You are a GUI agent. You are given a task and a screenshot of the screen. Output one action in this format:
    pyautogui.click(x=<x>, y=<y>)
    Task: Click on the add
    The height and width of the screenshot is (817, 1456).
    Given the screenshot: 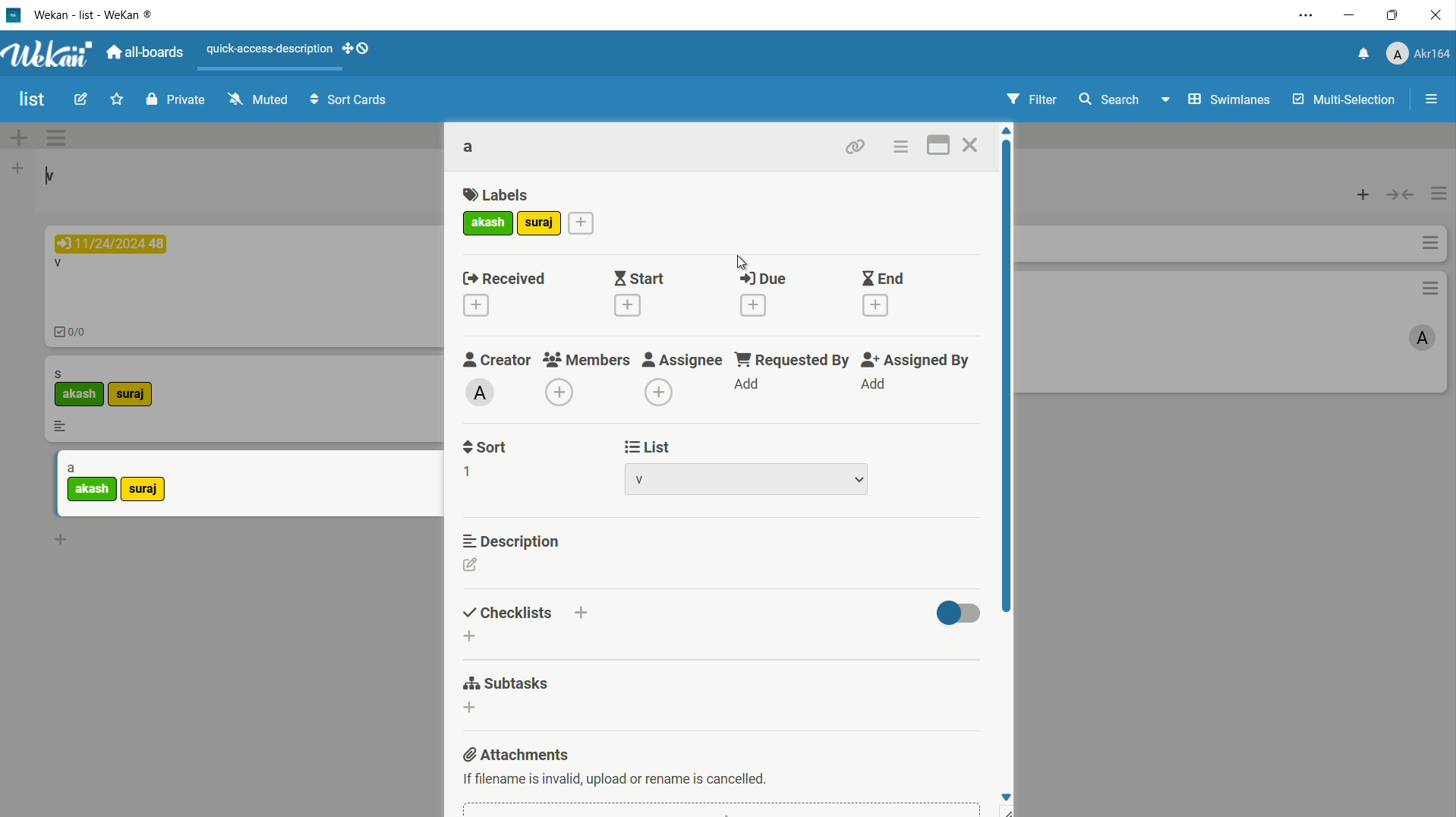 What is the action you would take?
    pyautogui.click(x=565, y=393)
    